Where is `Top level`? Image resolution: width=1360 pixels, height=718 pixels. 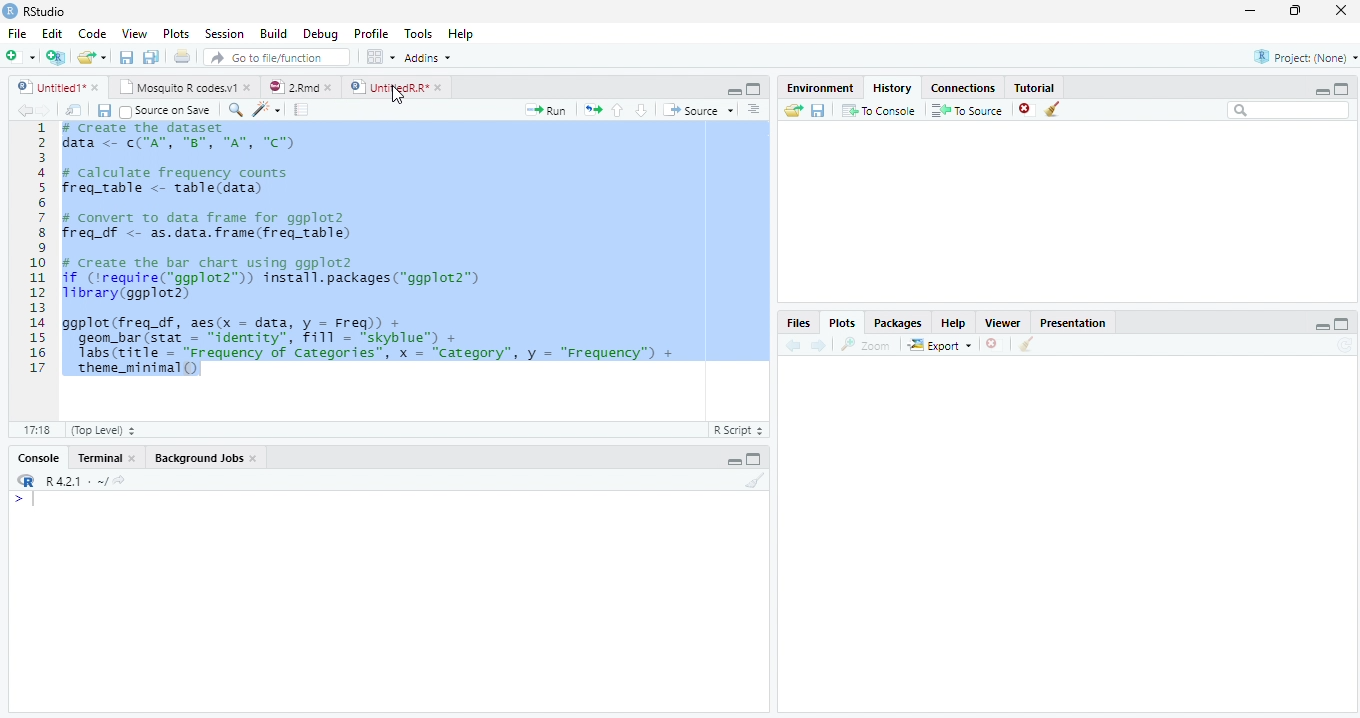 Top level is located at coordinates (99, 431).